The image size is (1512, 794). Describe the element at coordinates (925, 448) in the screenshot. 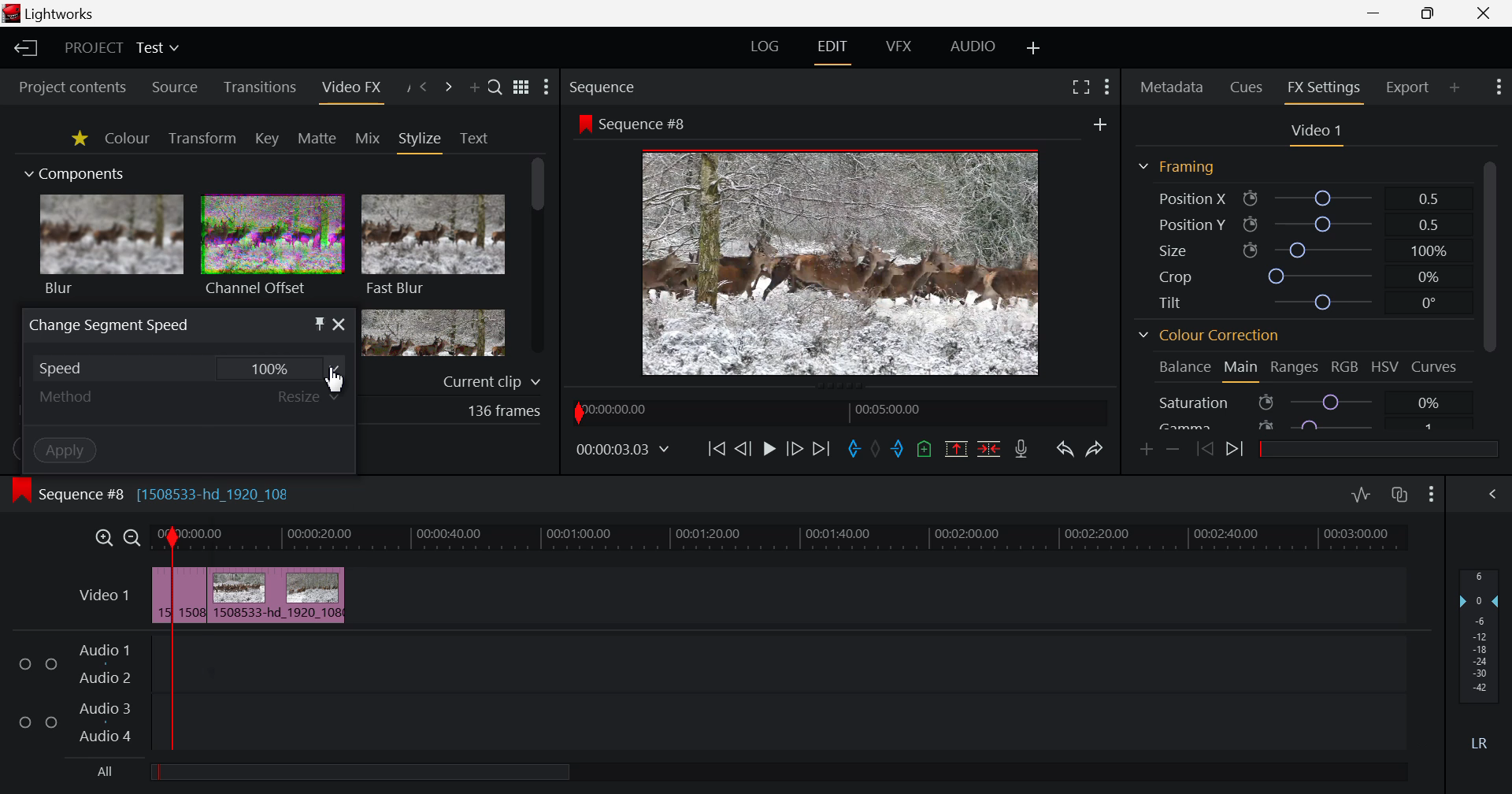

I see `Mark Cue` at that location.